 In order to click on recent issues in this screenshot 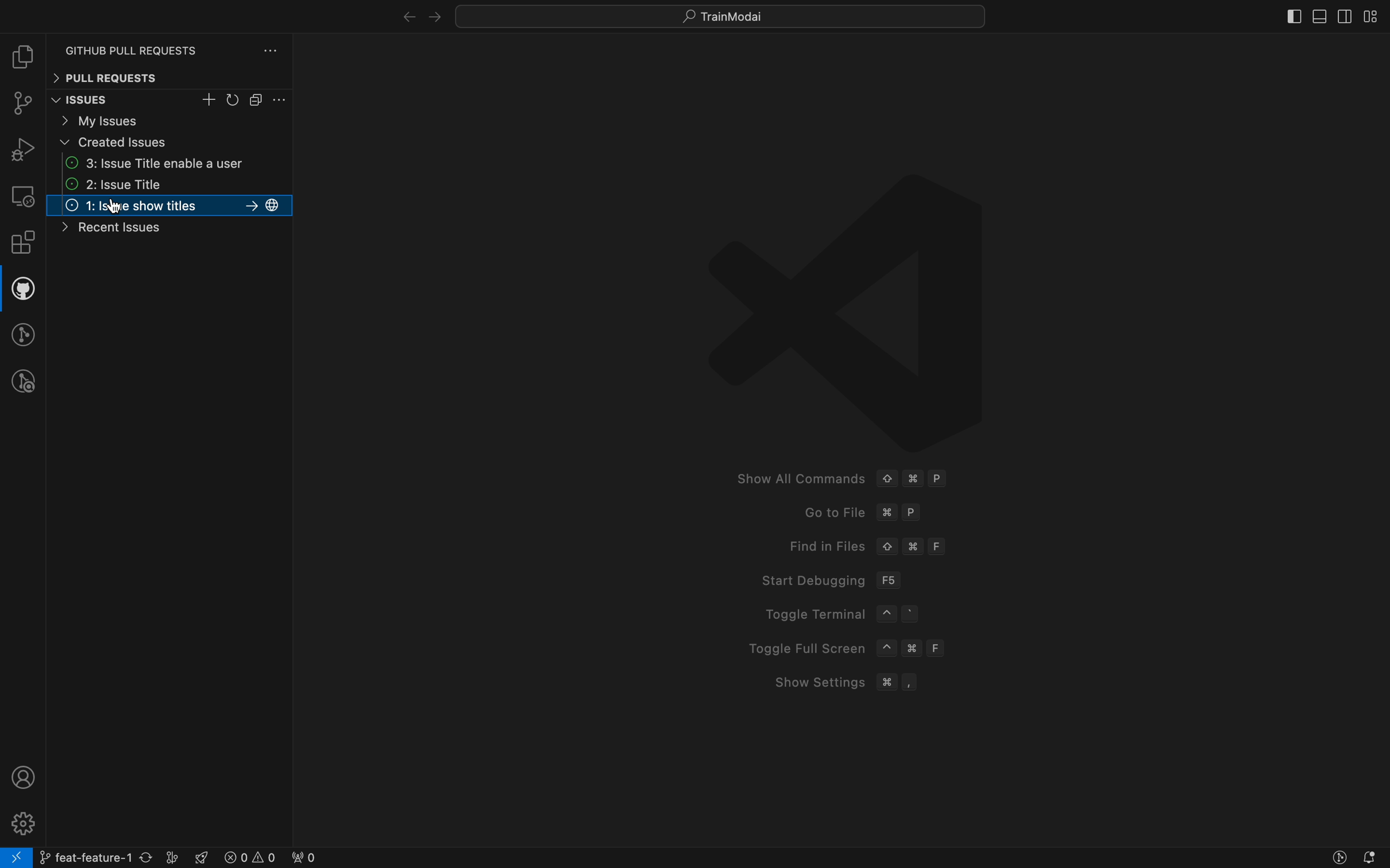, I will do `click(169, 163)`.